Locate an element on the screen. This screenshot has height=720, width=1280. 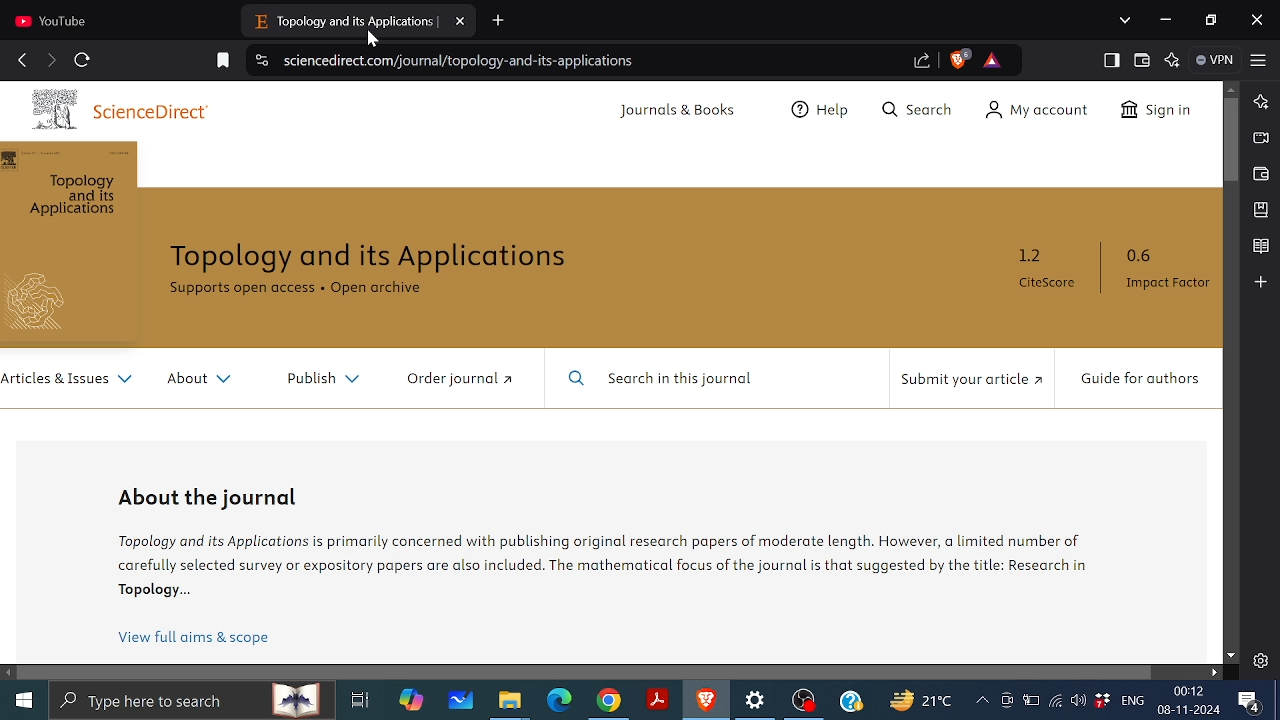
Add bookmark is located at coordinates (224, 61).